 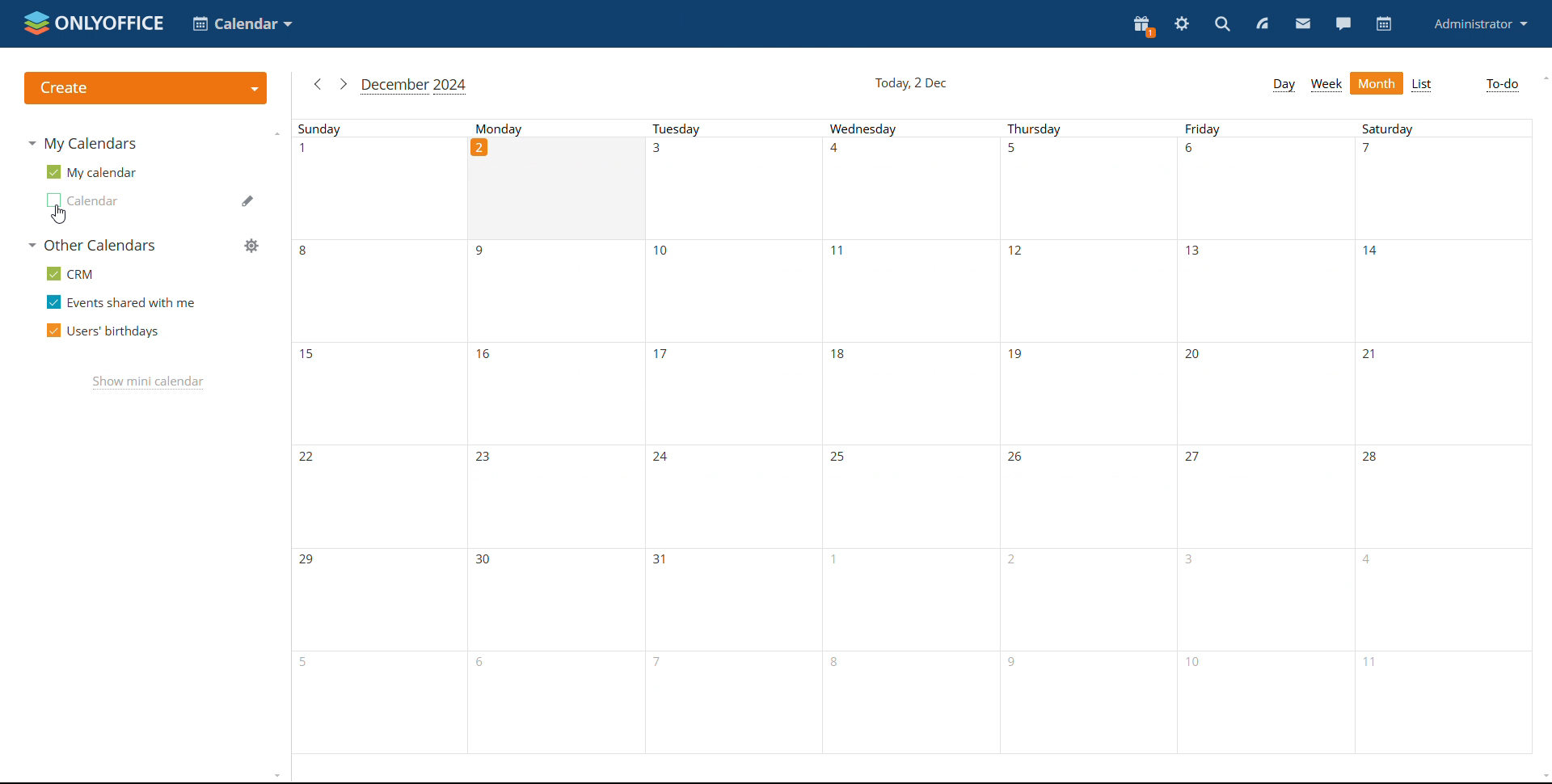 I want to click on 9, so click(x=558, y=289).